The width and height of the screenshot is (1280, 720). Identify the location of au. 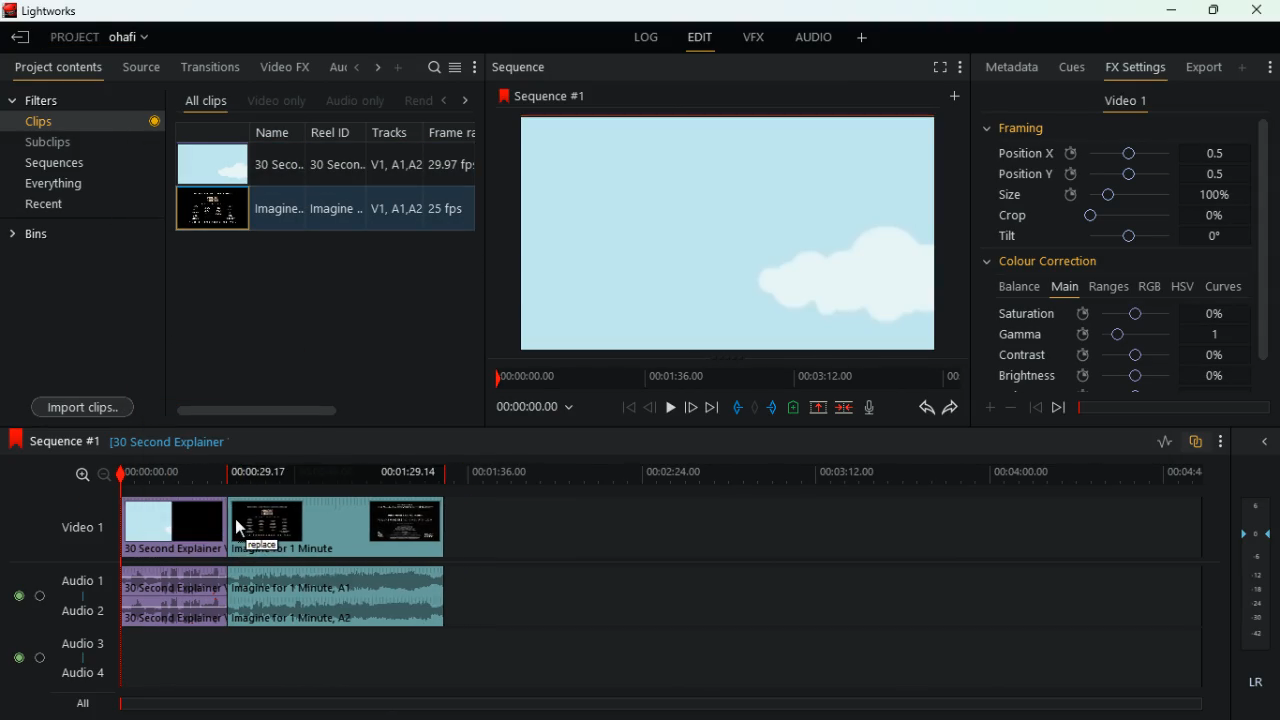
(334, 67).